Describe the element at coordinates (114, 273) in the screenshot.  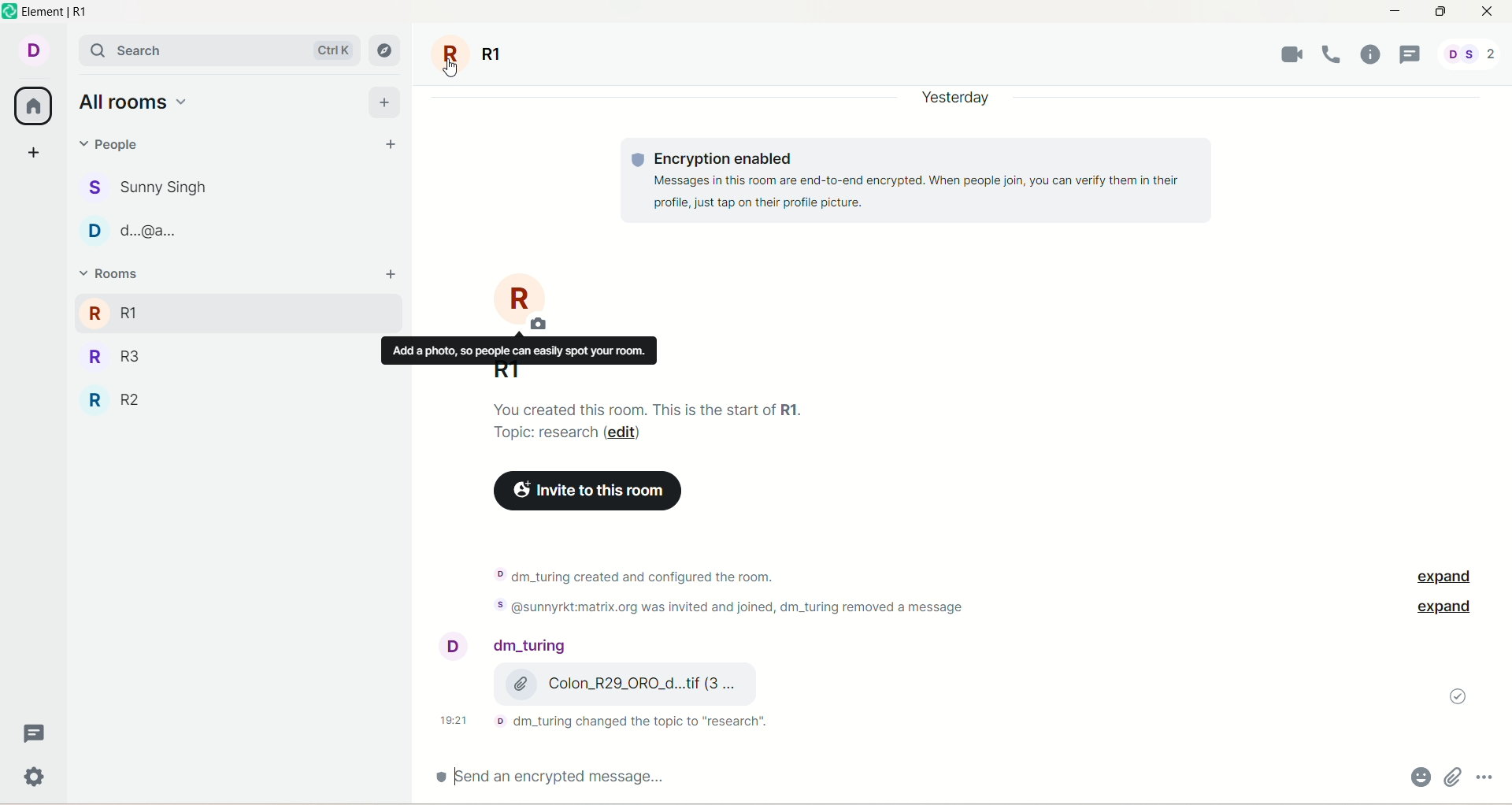
I see `rooms` at that location.